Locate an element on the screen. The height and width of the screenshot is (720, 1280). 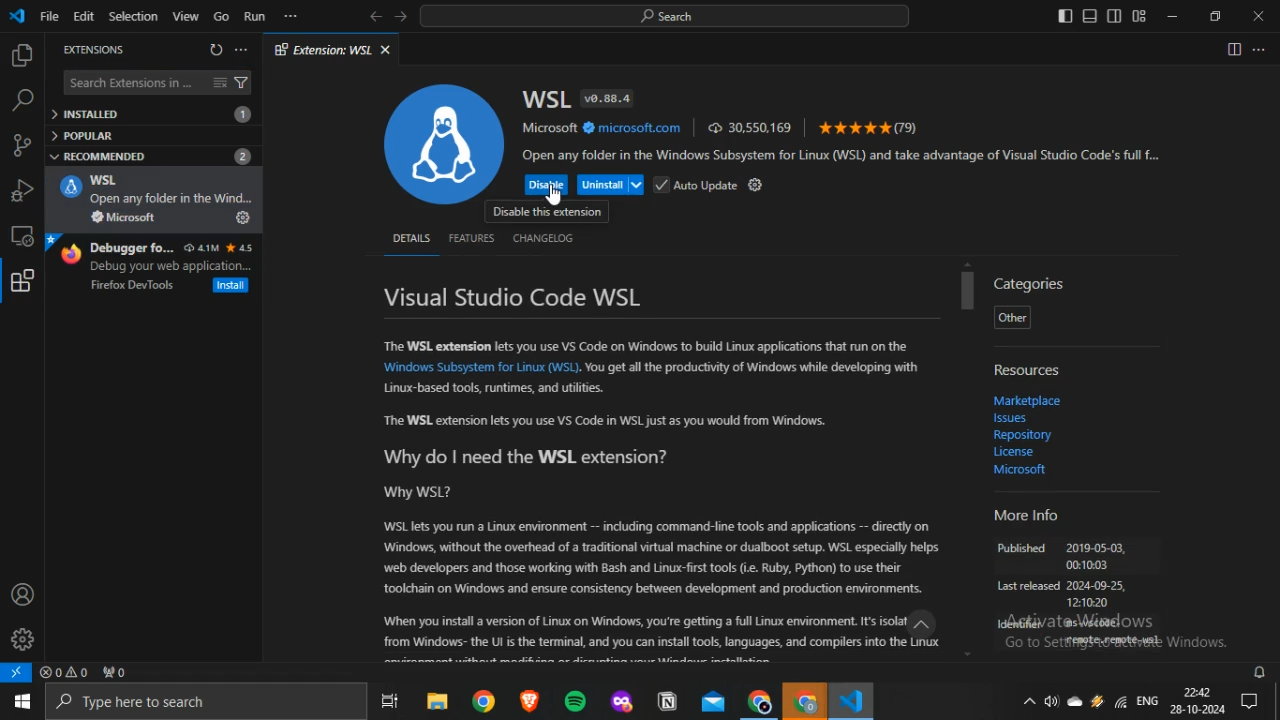
brave is located at coordinates (530, 699).